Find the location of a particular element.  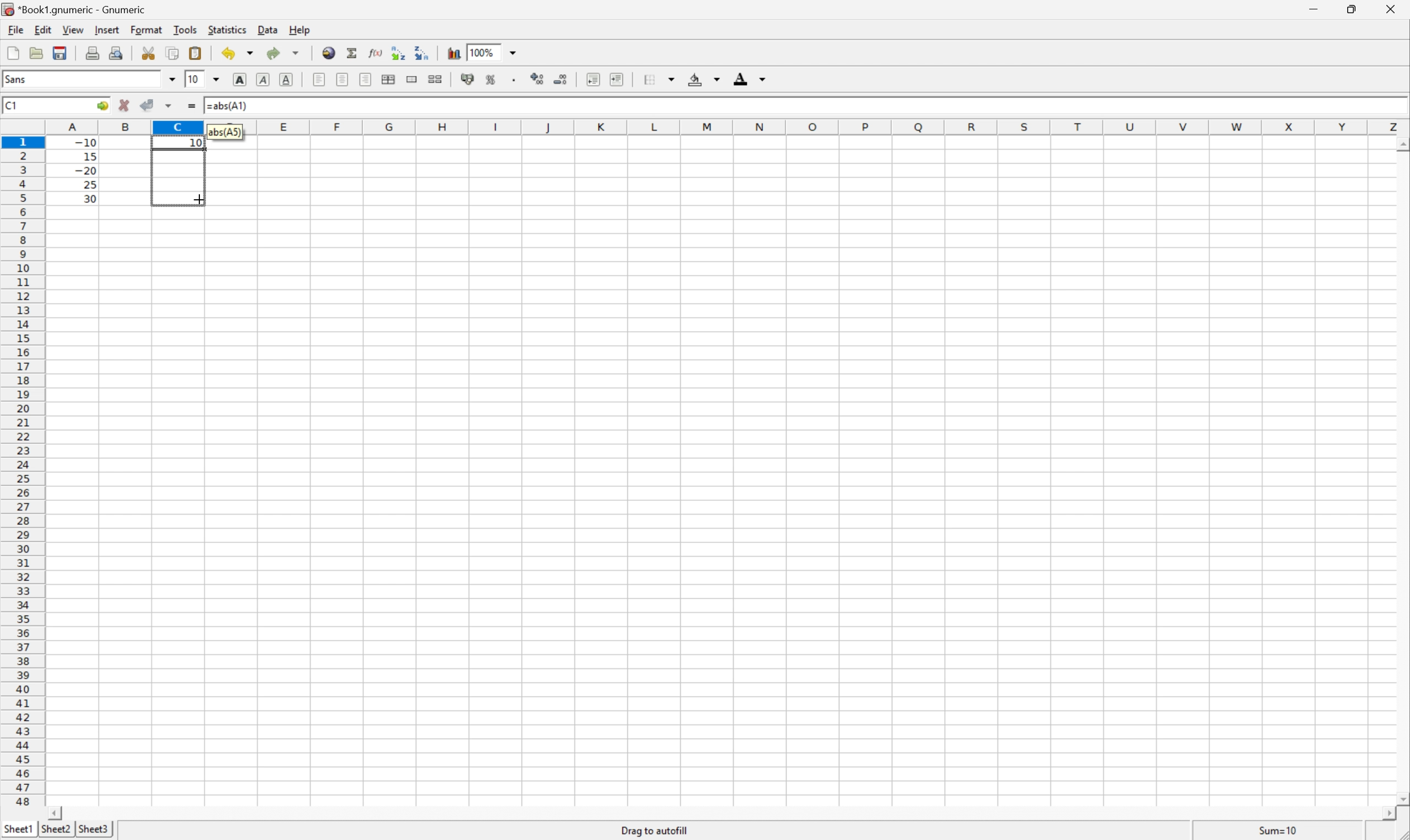

Underline is located at coordinates (288, 78).